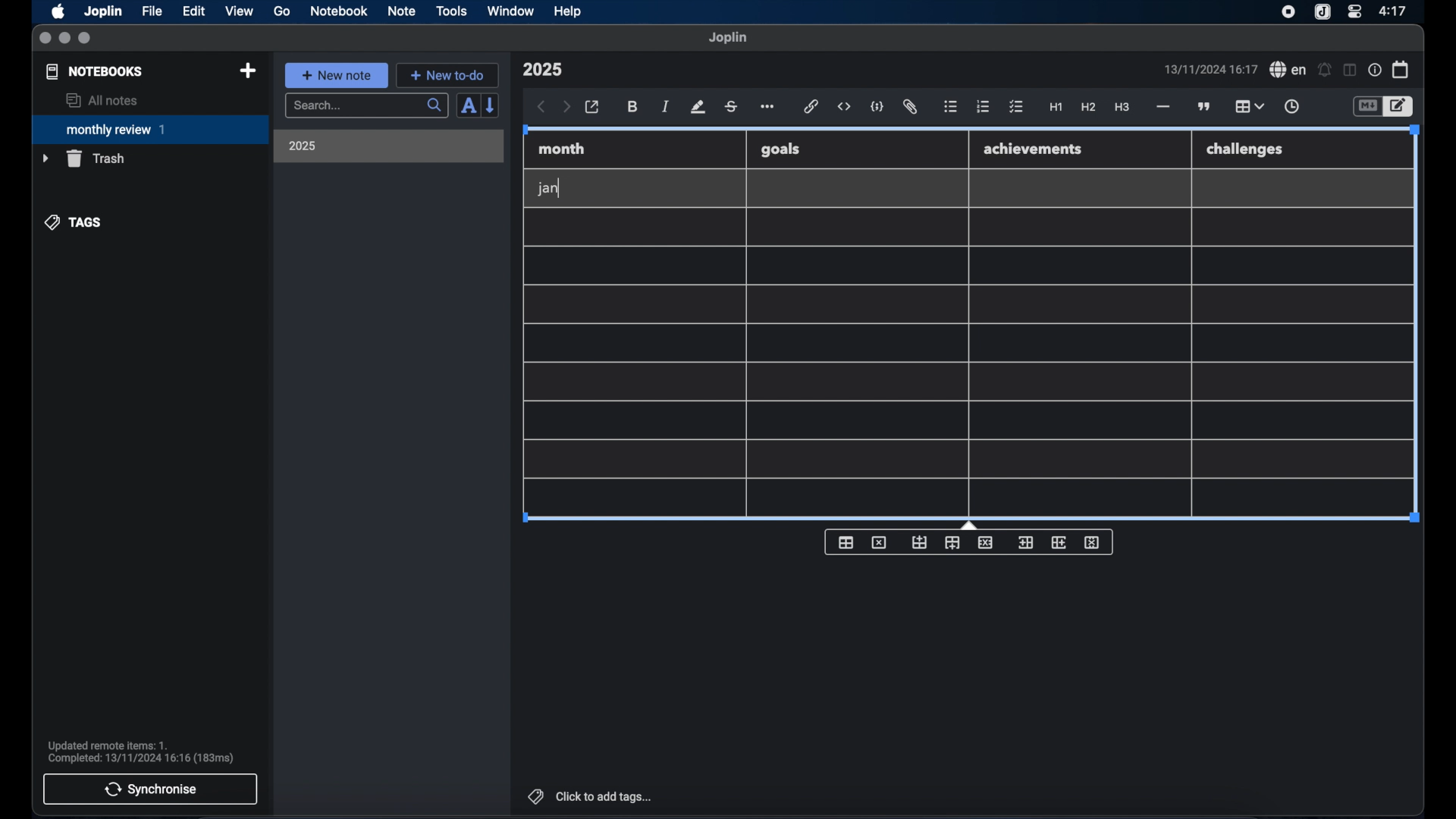  I want to click on note, so click(402, 11).